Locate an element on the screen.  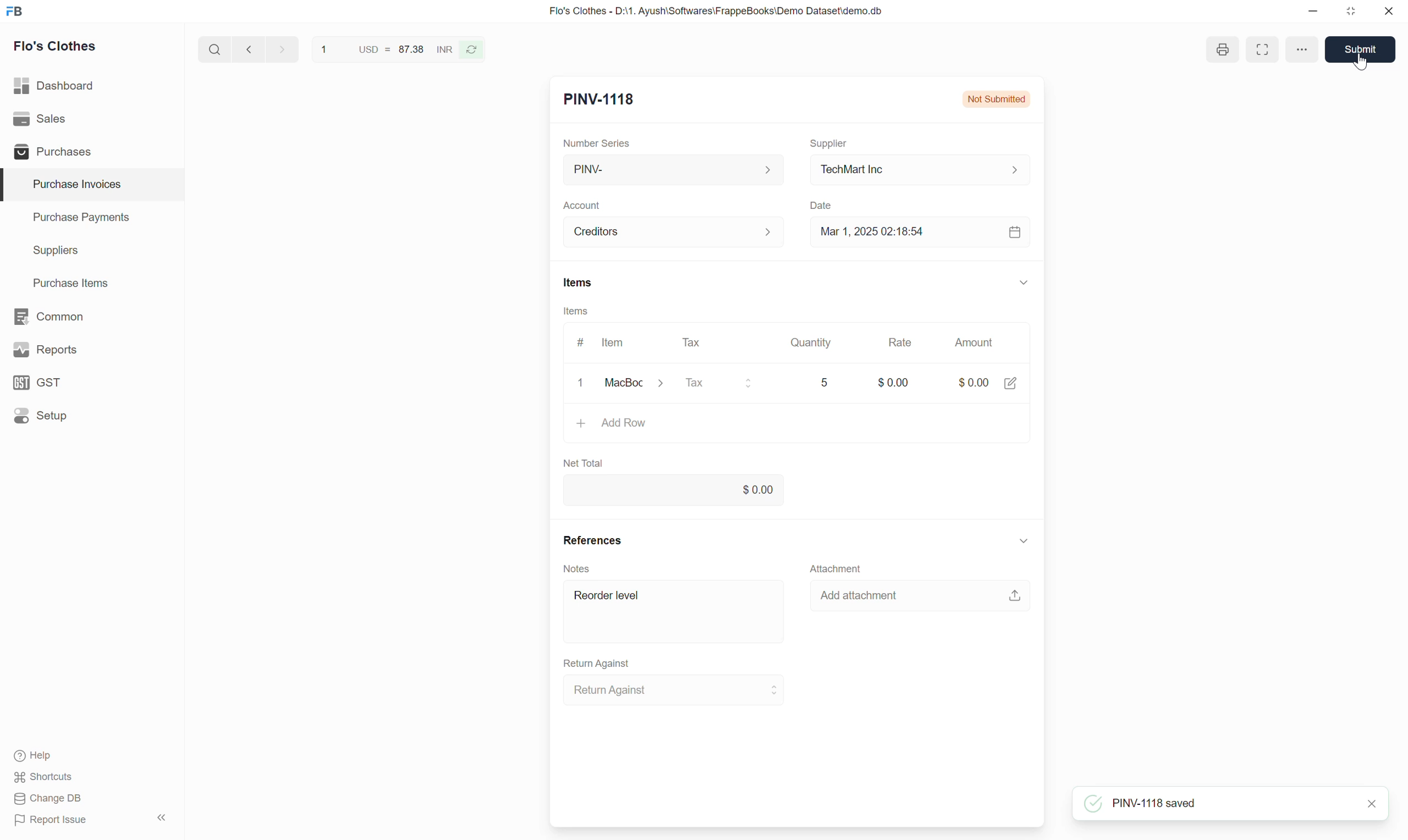
Change DB is located at coordinates (49, 798).